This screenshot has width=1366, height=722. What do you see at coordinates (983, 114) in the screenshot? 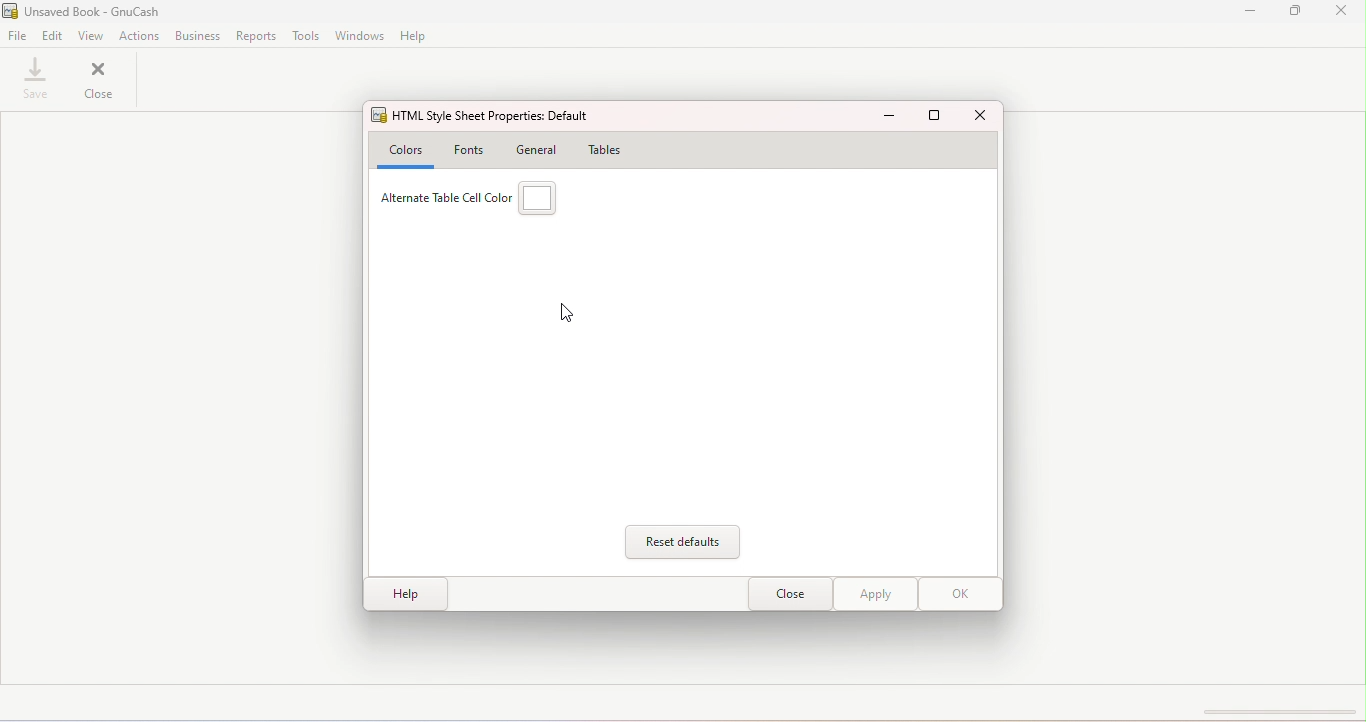
I see `Close` at bounding box center [983, 114].